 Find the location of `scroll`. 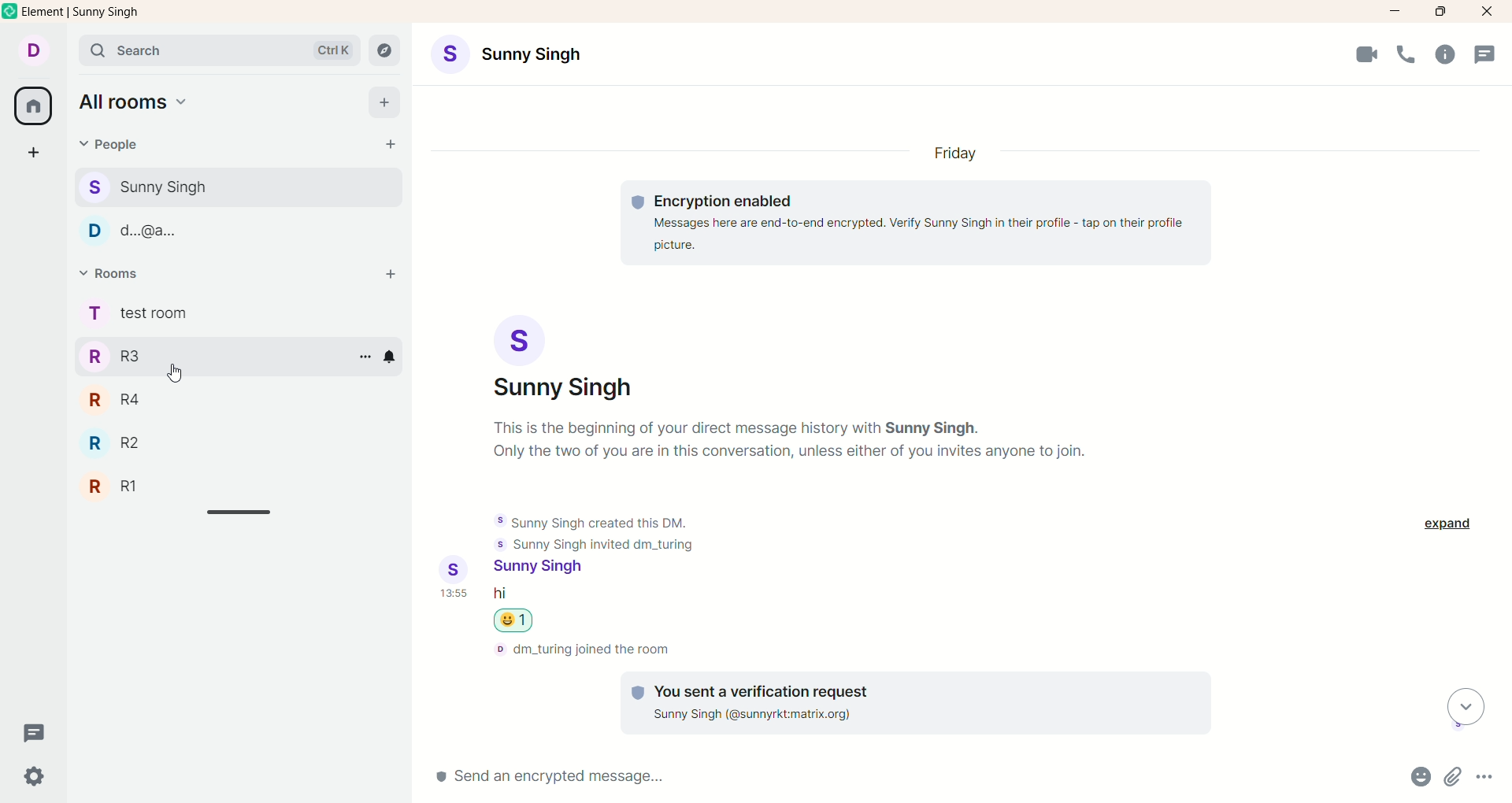

scroll is located at coordinates (1462, 708).